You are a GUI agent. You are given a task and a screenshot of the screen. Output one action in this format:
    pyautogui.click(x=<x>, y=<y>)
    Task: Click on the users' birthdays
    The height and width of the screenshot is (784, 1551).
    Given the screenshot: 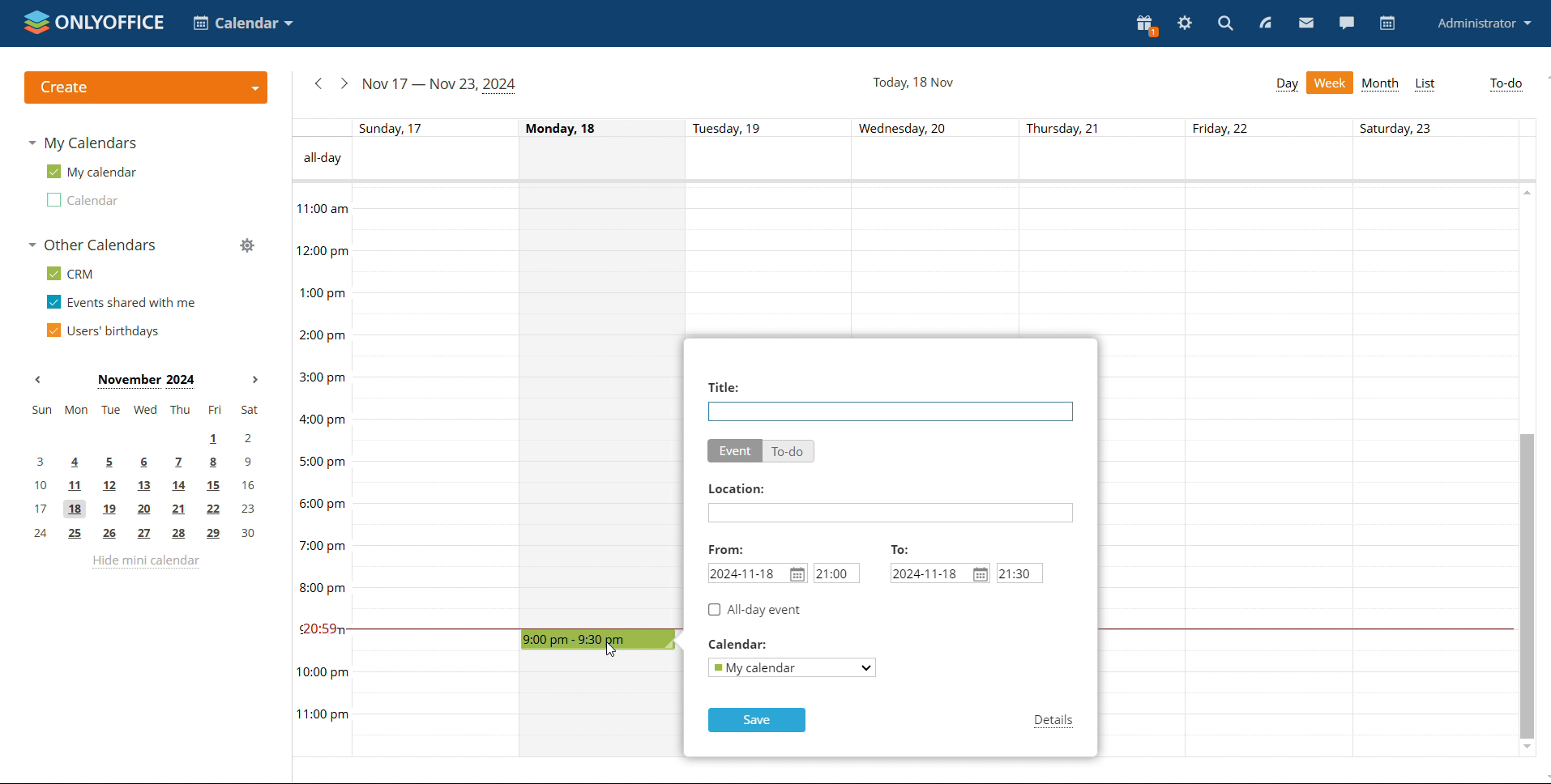 What is the action you would take?
    pyautogui.click(x=104, y=330)
    